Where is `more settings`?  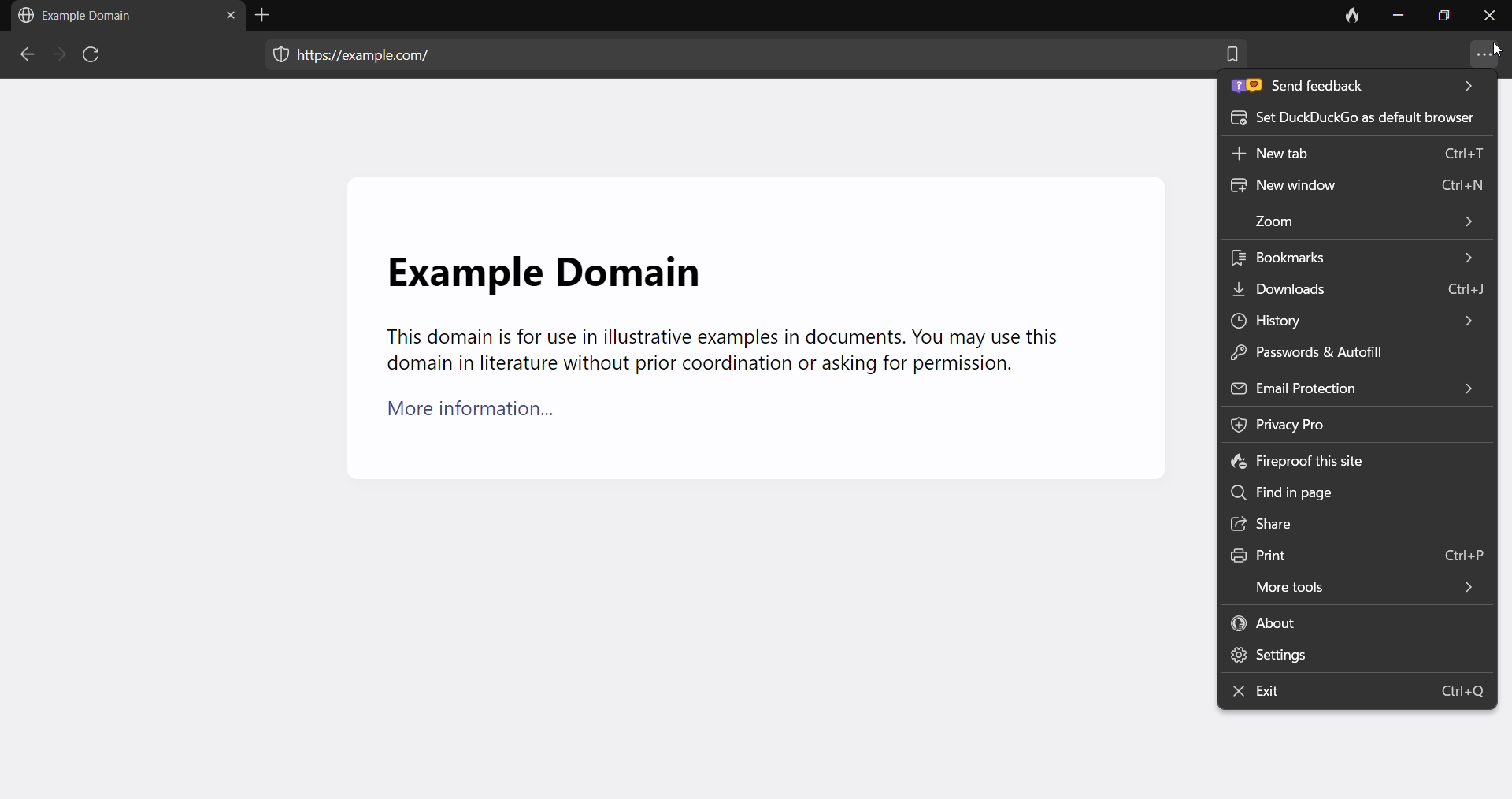 more settings is located at coordinates (1484, 54).